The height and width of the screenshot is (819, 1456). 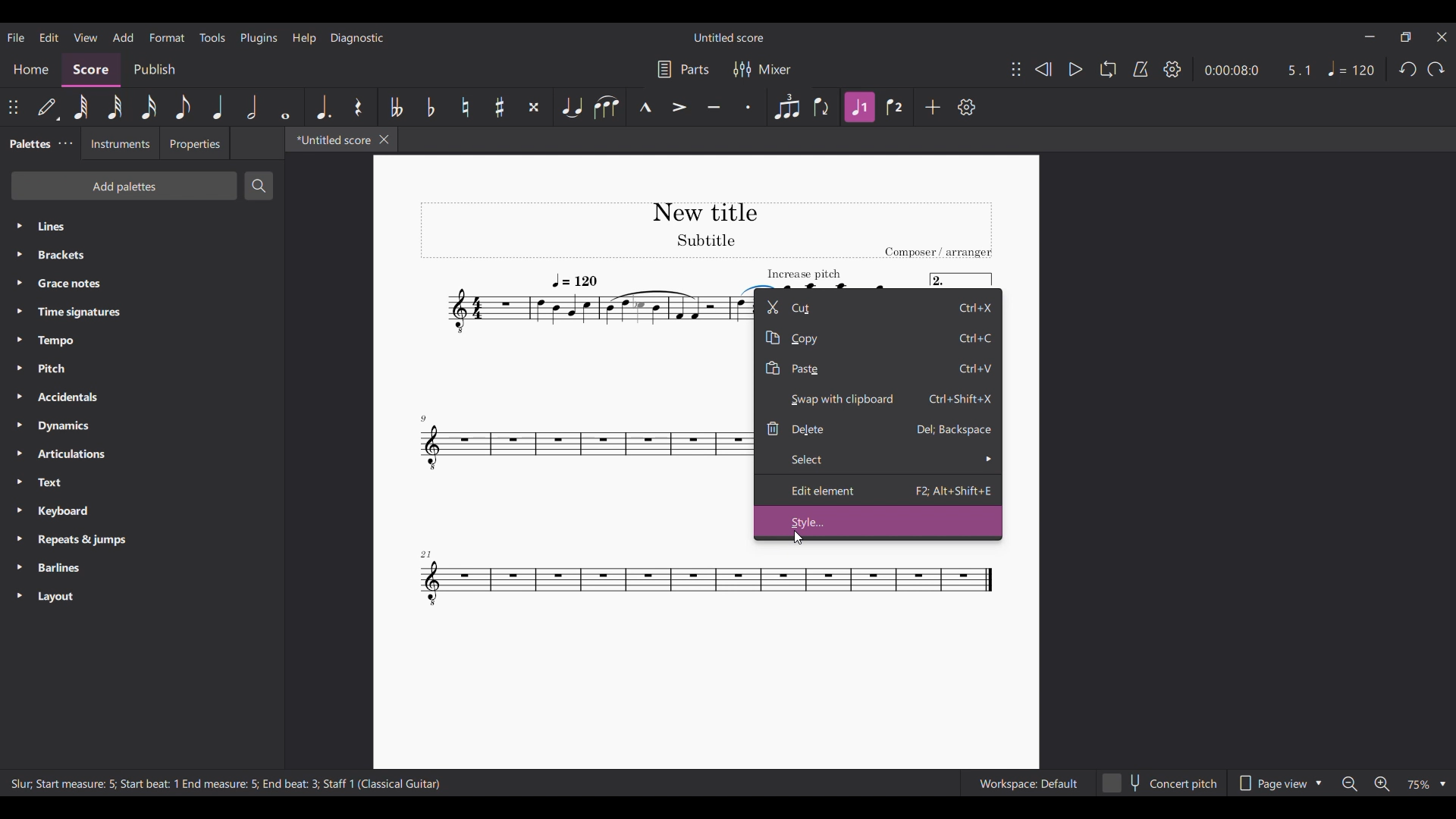 What do you see at coordinates (644, 107) in the screenshot?
I see `Marcato` at bounding box center [644, 107].